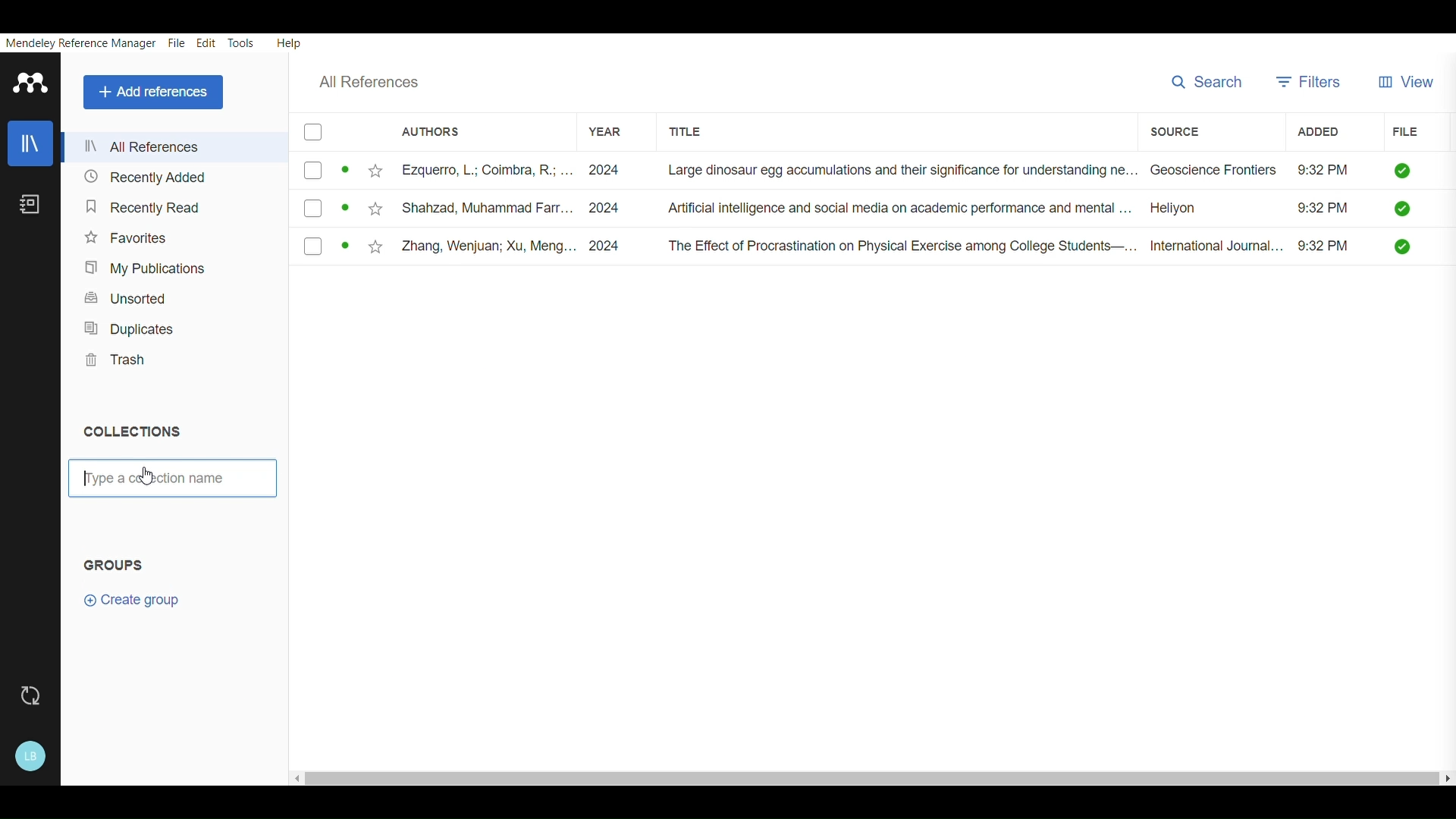  I want to click on checkbox, so click(319, 173).